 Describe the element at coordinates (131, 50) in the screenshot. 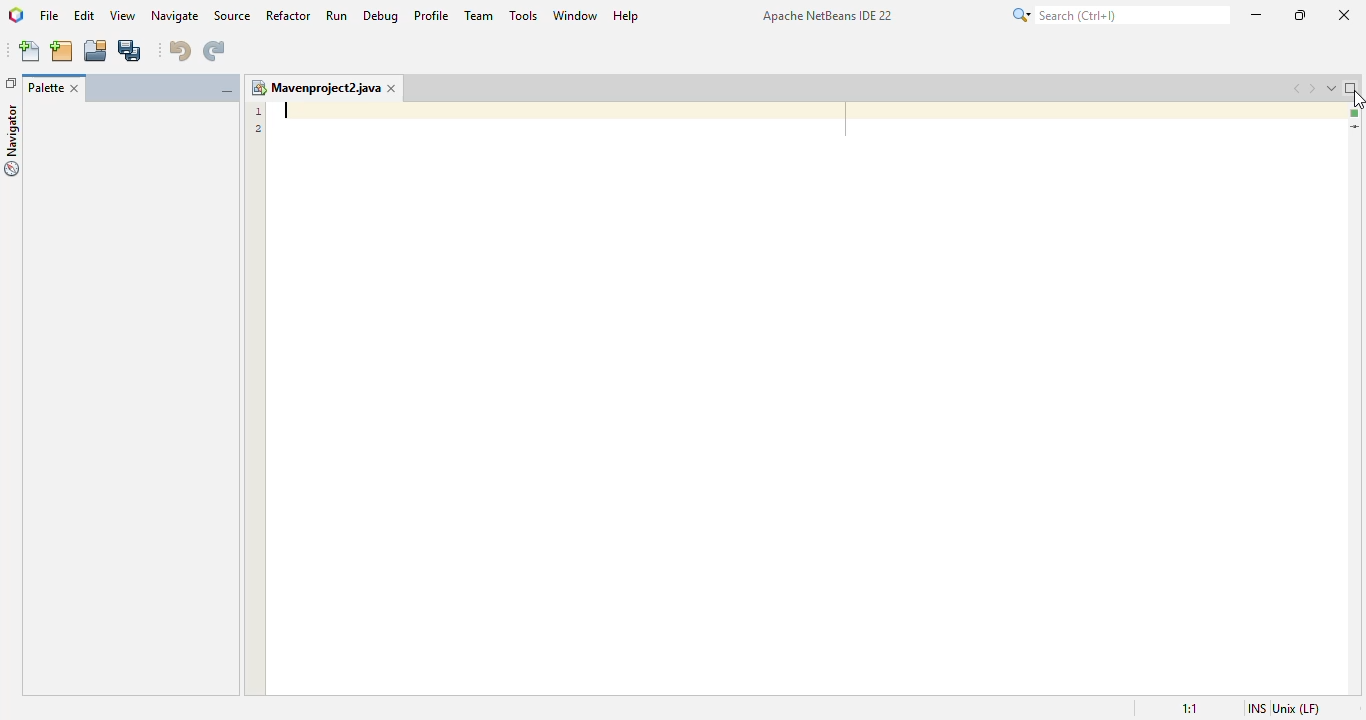

I see `save all` at that location.